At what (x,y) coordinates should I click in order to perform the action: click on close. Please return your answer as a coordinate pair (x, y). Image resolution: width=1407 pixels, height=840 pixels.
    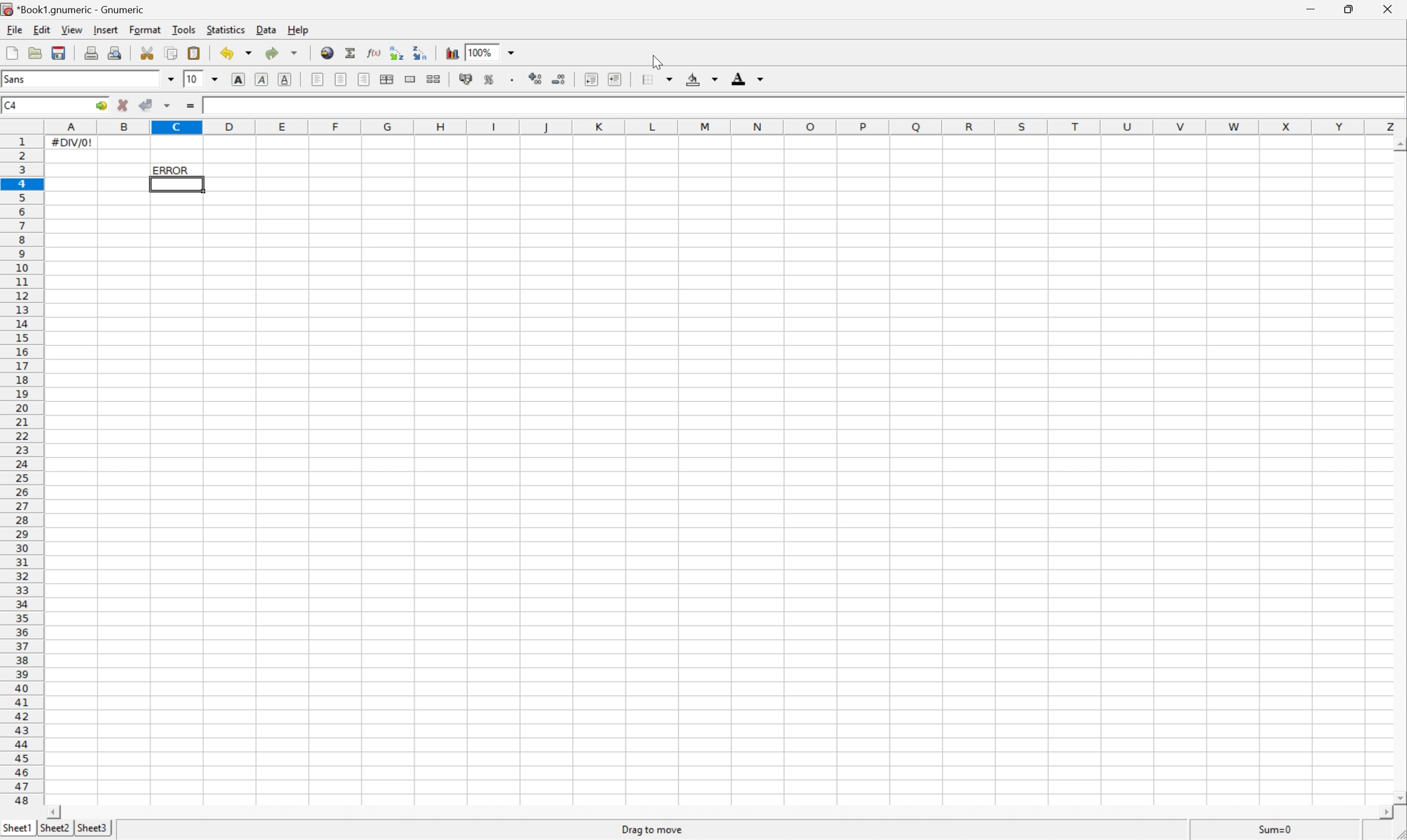
    Looking at the image, I should click on (1384, 12).